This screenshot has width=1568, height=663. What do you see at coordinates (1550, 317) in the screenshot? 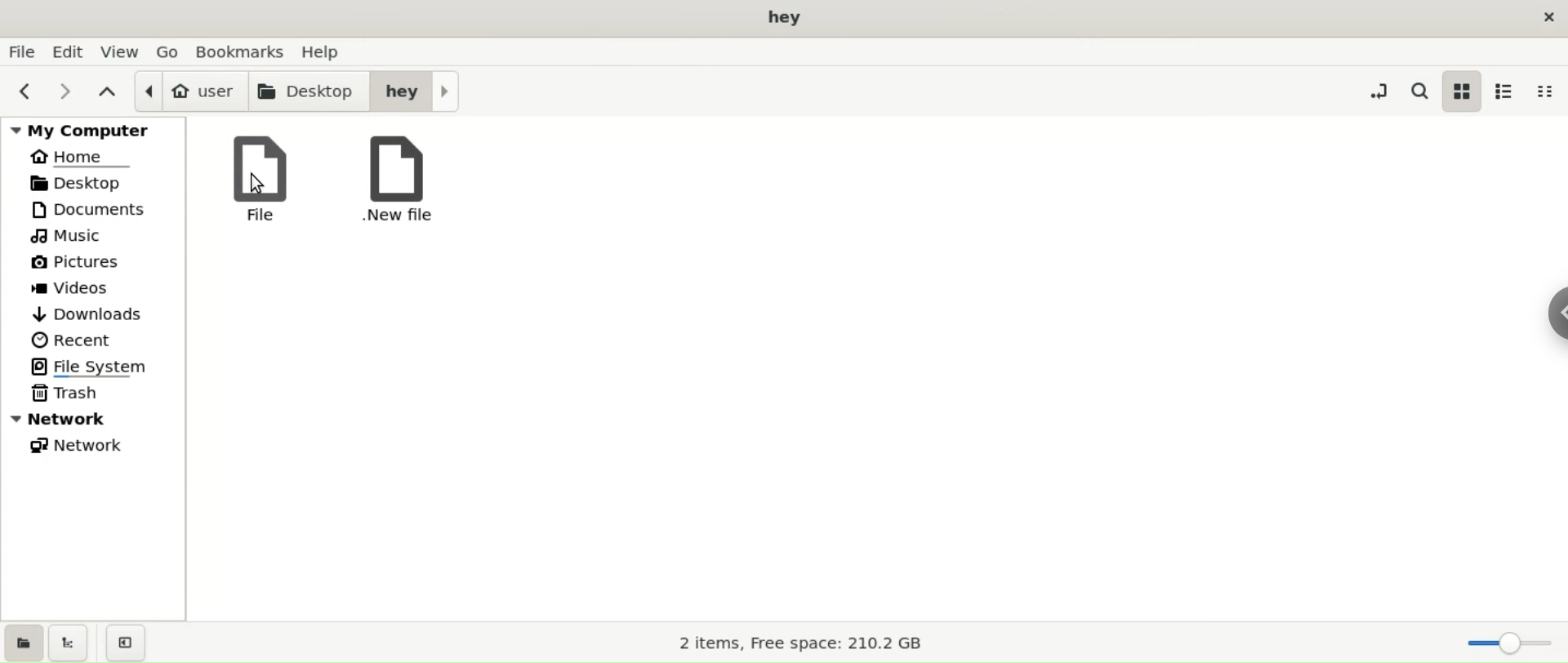
I see `sidebar` at bounding box center [1550, 317].